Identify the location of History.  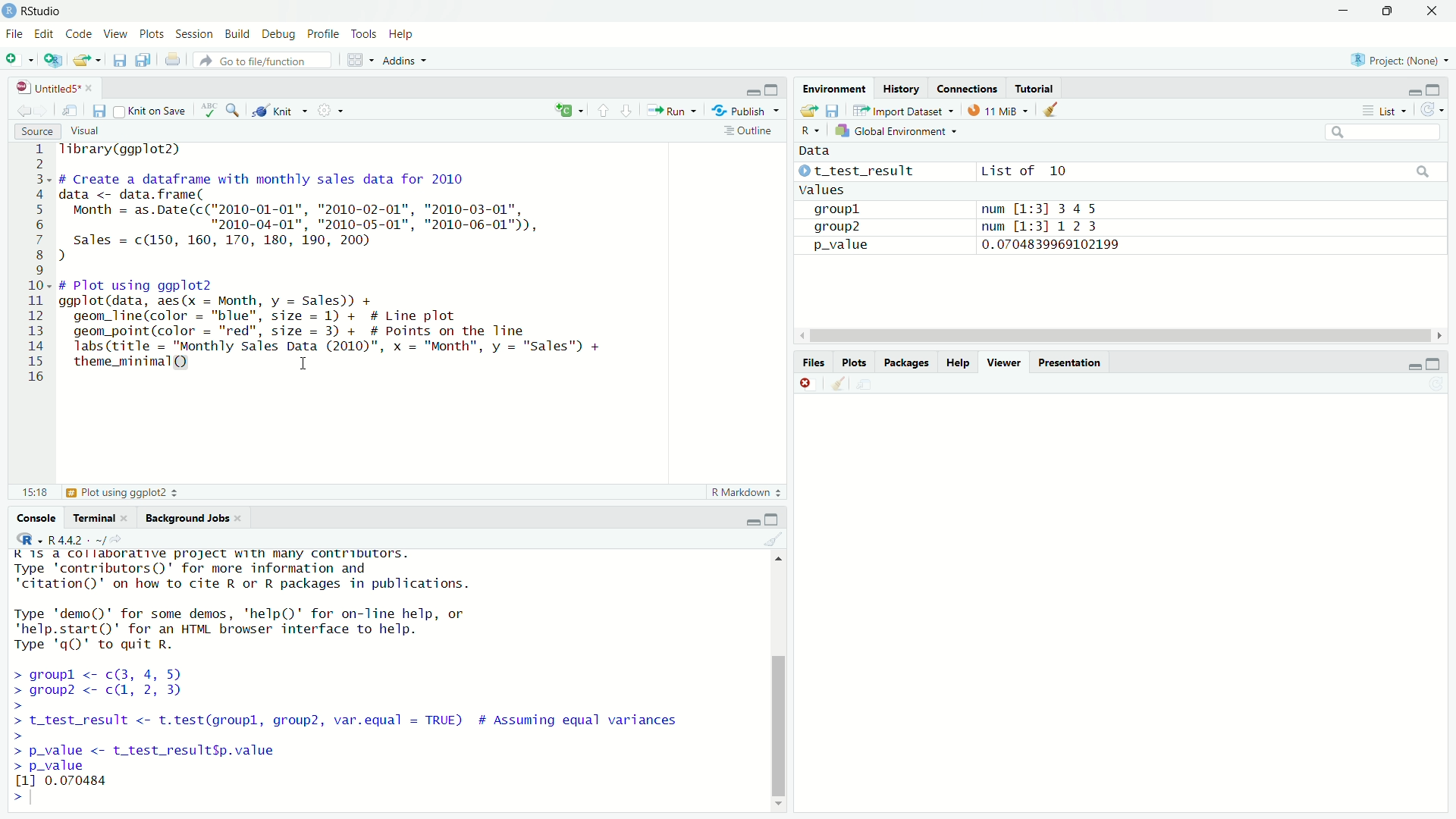
(902, 87).